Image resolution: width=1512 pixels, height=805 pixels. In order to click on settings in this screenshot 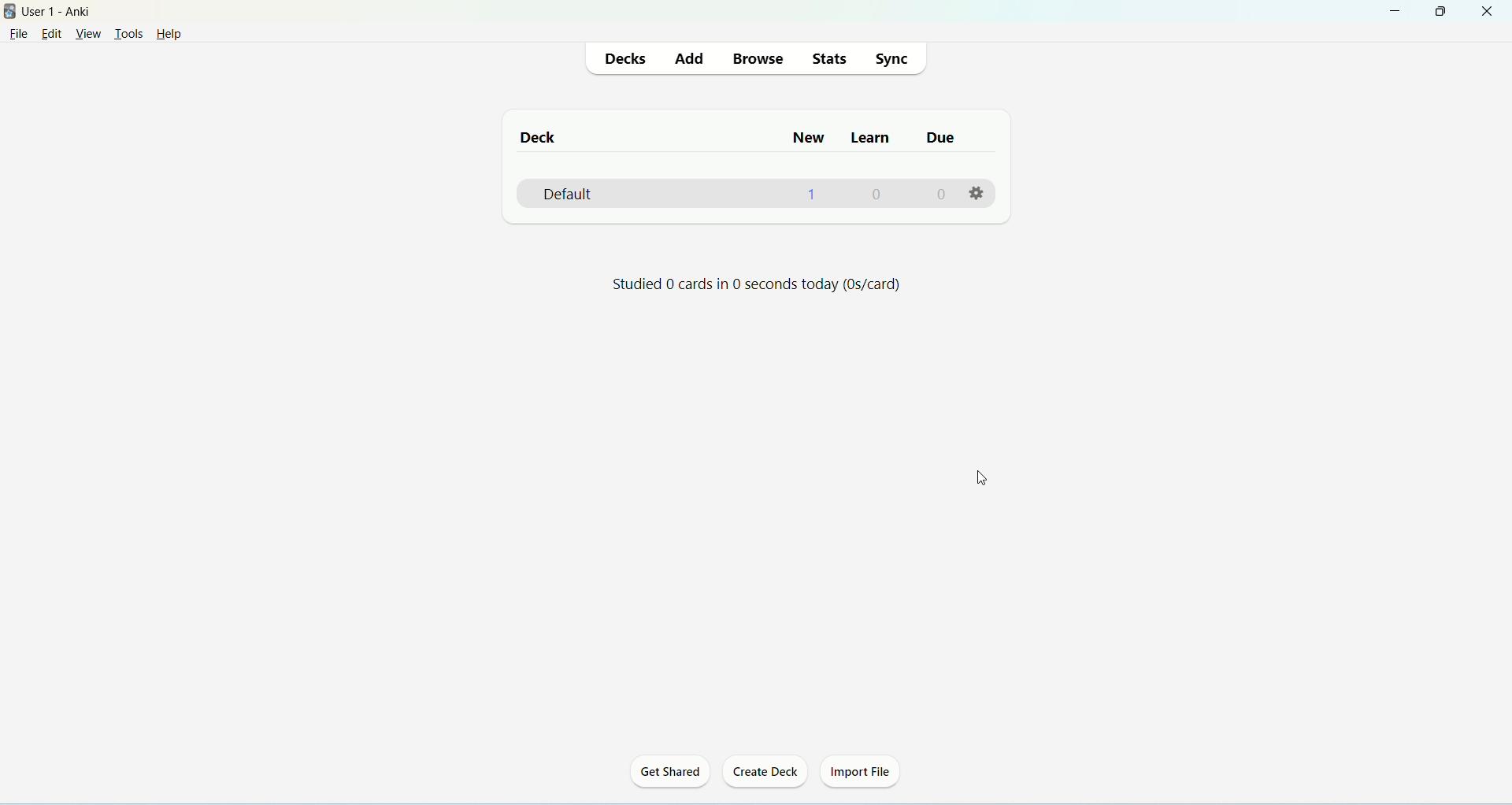, I will do `click(979, 191)`.